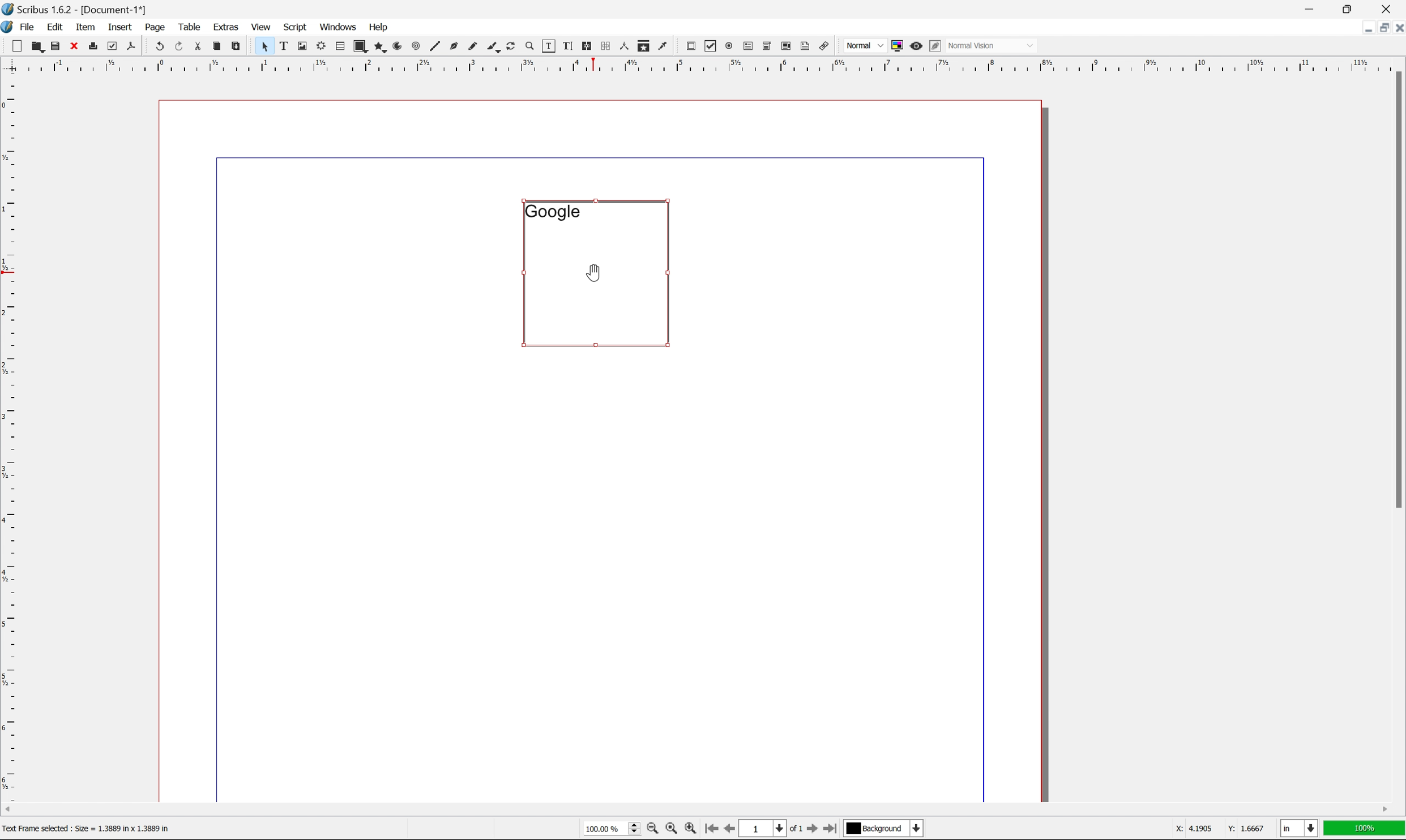 This screenshot has width=1406, height=840. I want to click on google, so click(552, 211).